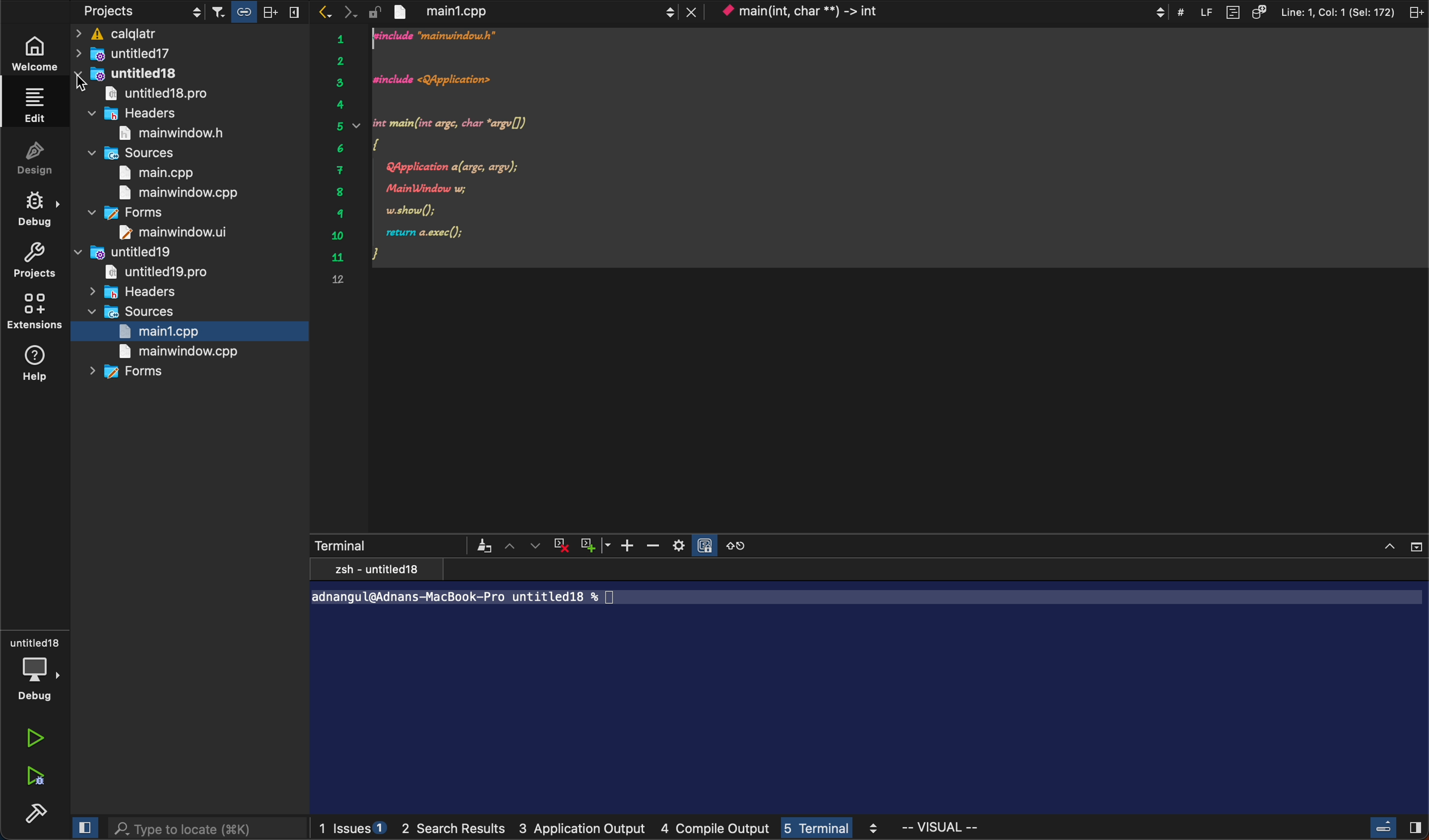 The width and height of the screenshot is (1429, 840). What do you see at coordinates (142, 311) in the screenshot?
I see `sources` at bounding box center [142, 311].